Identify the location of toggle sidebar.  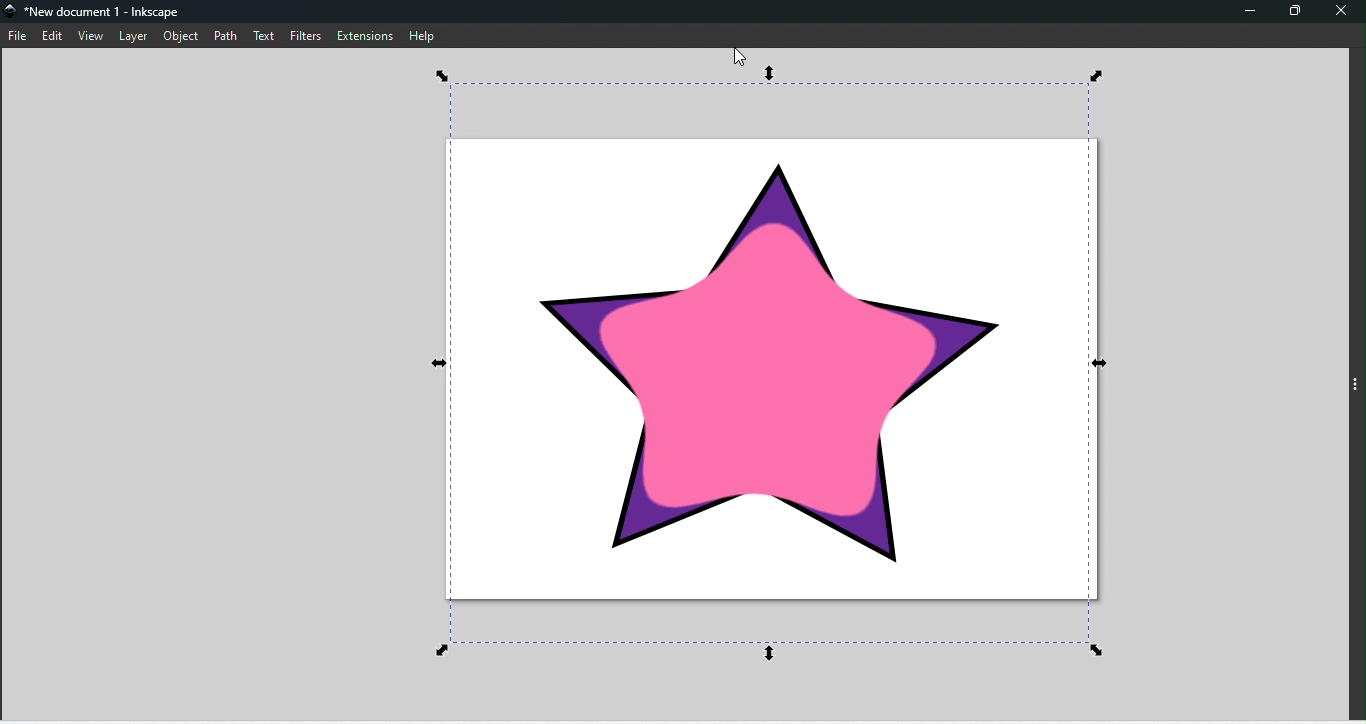
(1352, 378).